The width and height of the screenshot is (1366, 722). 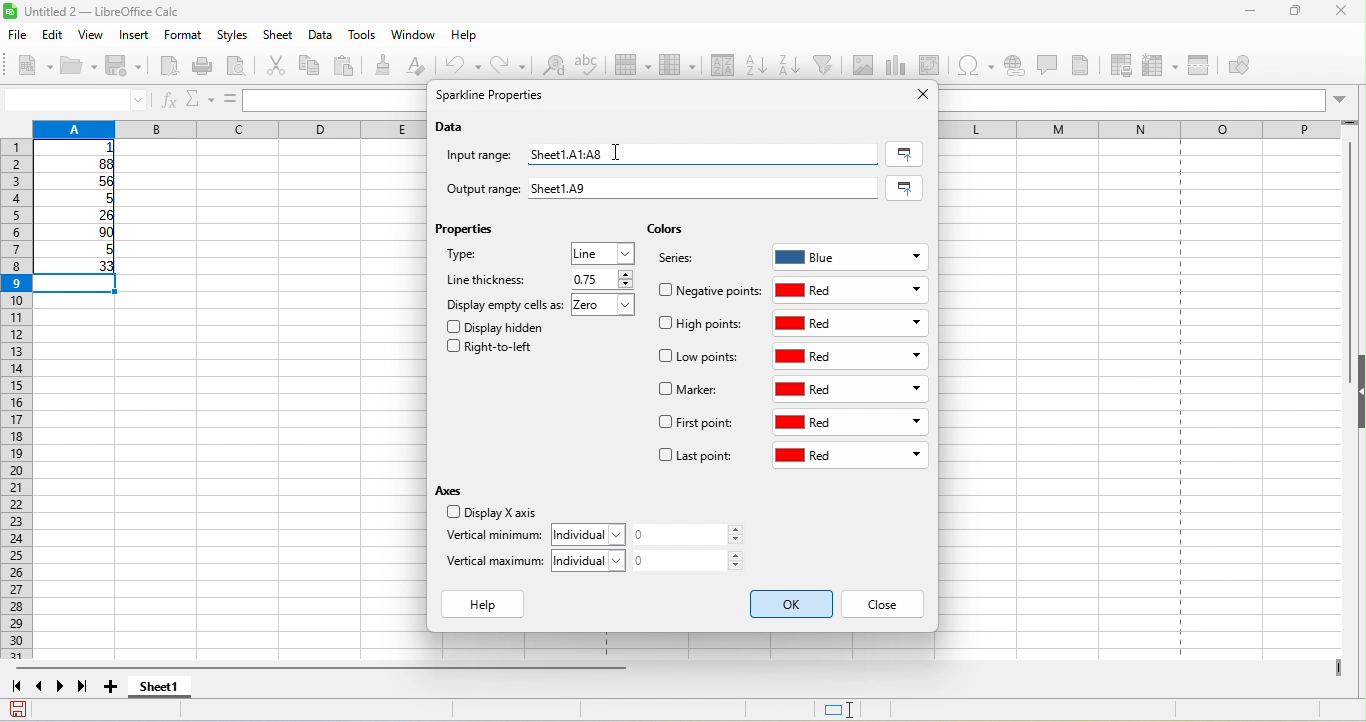 I want to click on sort descending, so click(x=794, y=62).